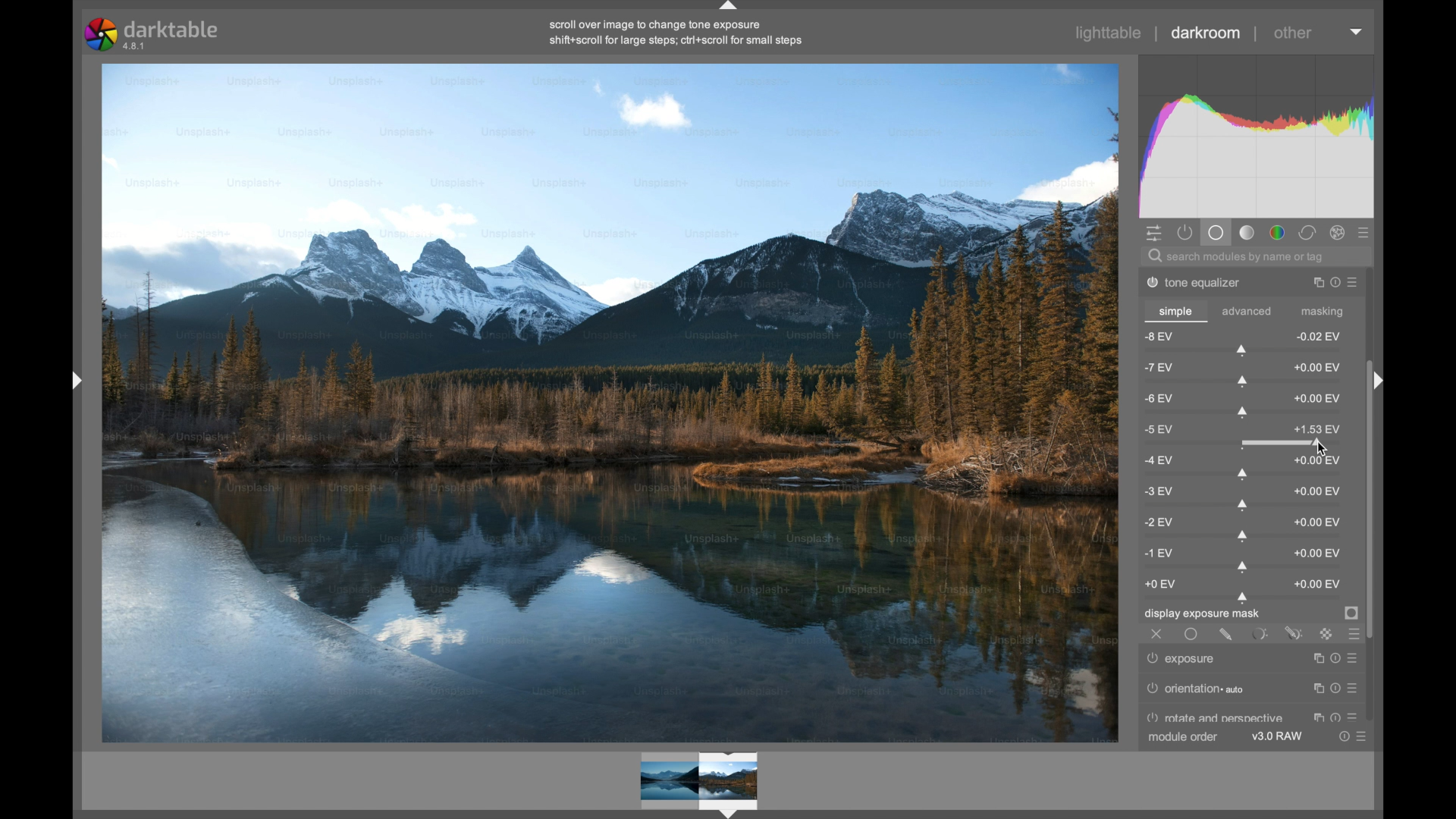  Describe the element at coordinates (1163, 585) in the screenshot. I see `0 ev` at that location.